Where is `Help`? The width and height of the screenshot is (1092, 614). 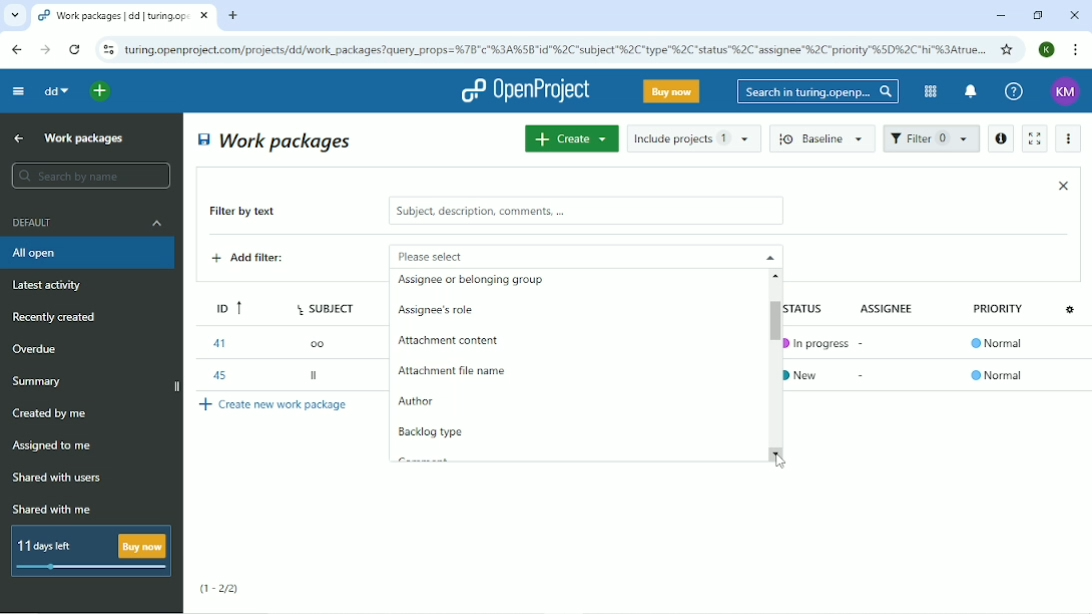 Help is located at coordinates (1014, 92).